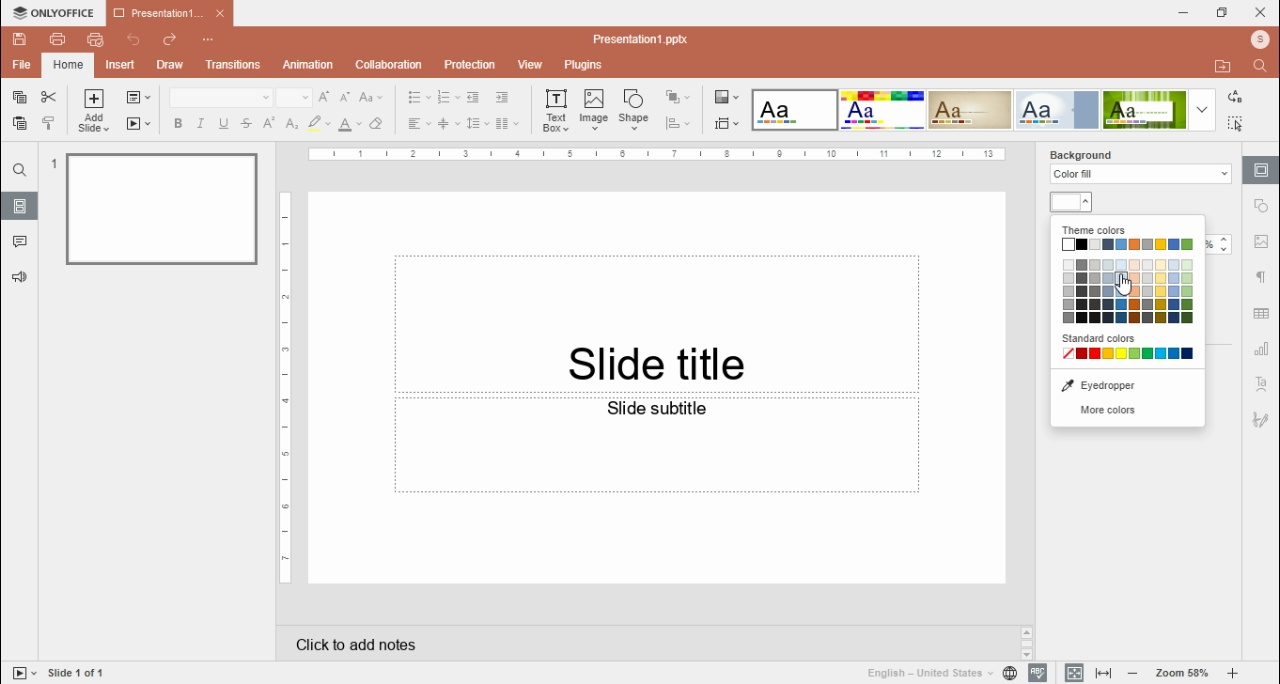 This screenshot has height=684, width=1280. Describe the element at coordinates (1260, 171) in the screenshot. I see `slide settings` at that location.